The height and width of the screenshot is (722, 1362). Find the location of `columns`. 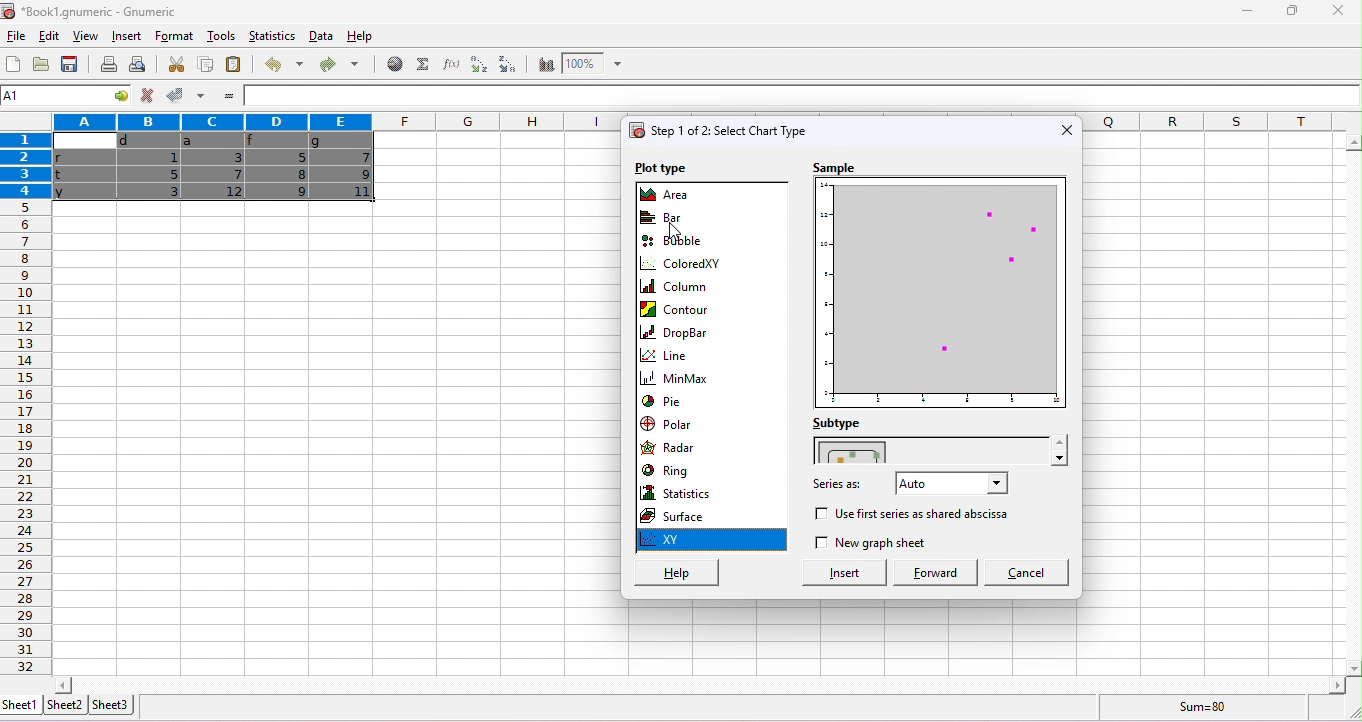

columns is located at coordinates (336, 122).